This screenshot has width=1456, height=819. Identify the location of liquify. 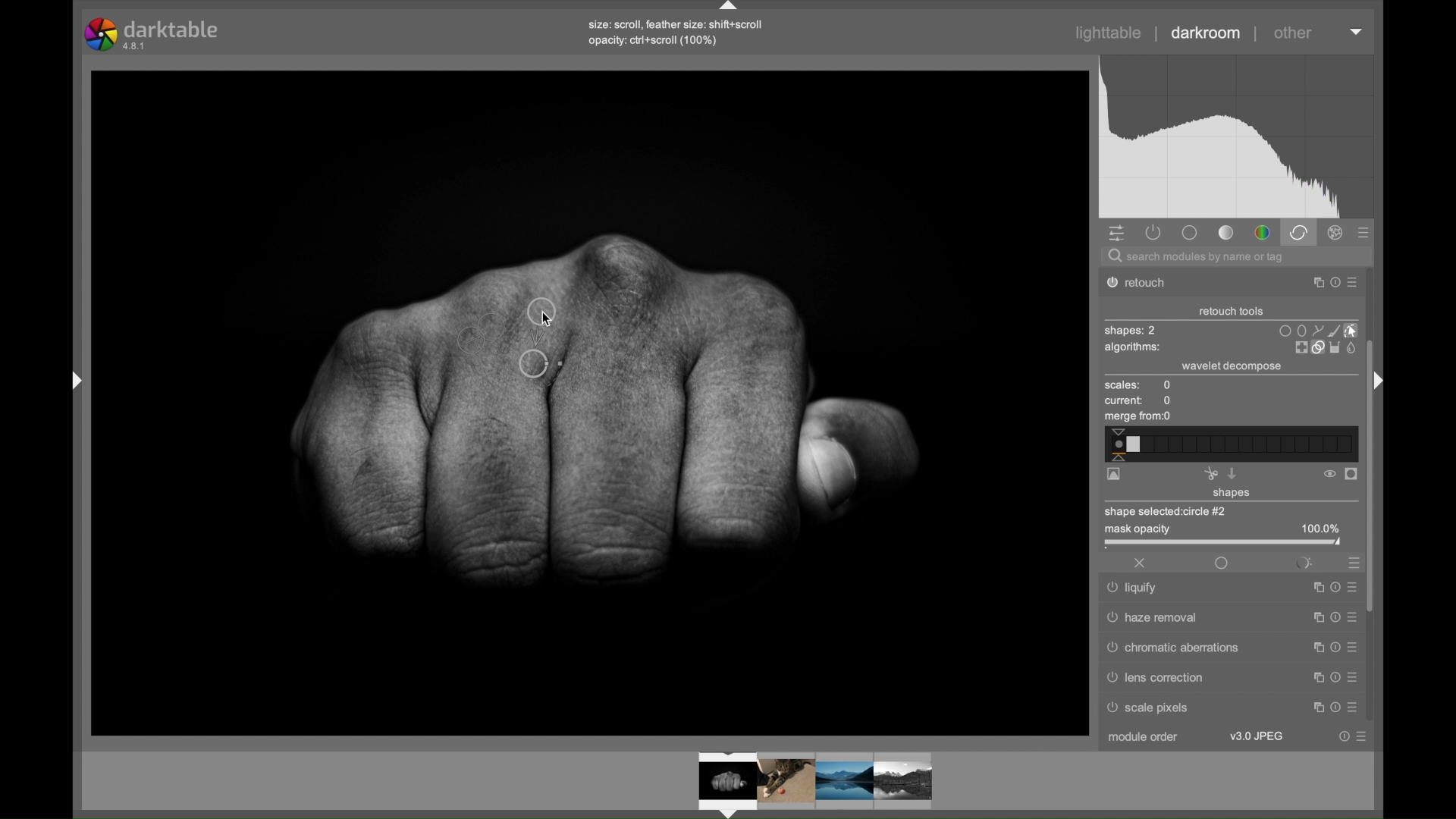
(1134, 590).